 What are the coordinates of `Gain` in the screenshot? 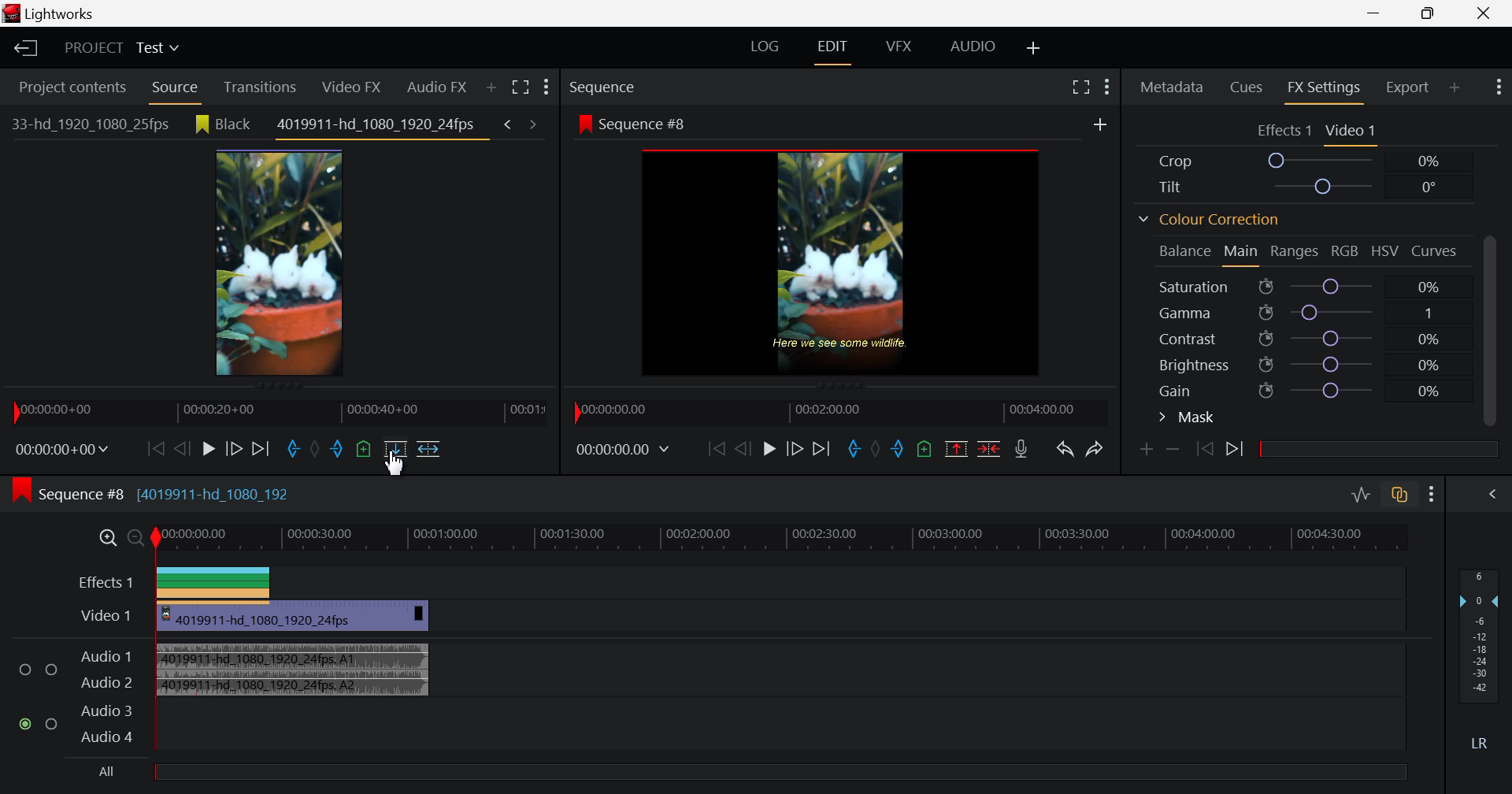 It's located at (1308, 391).